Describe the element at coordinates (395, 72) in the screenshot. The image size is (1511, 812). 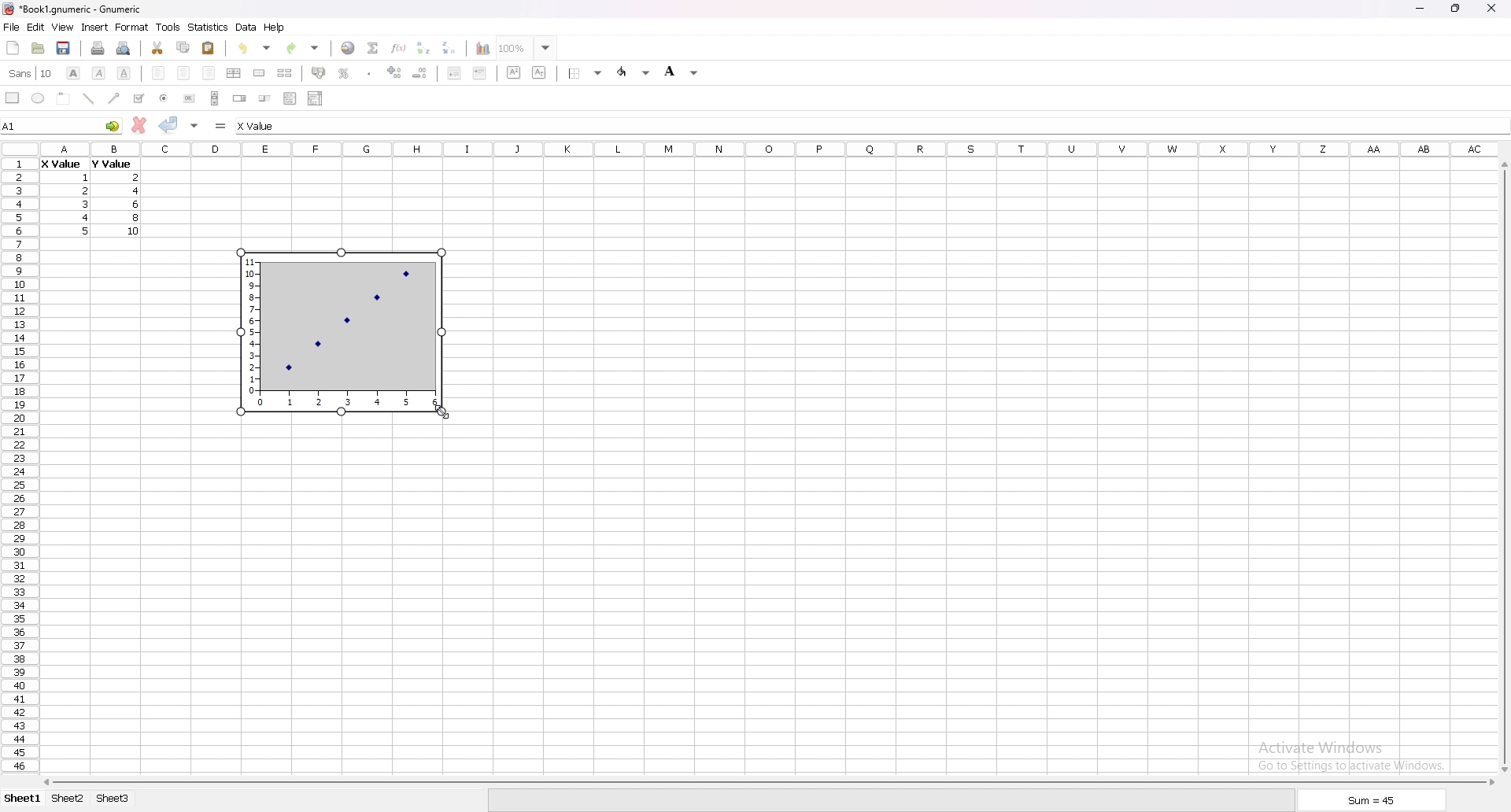
I see `increase decimals` at that location.